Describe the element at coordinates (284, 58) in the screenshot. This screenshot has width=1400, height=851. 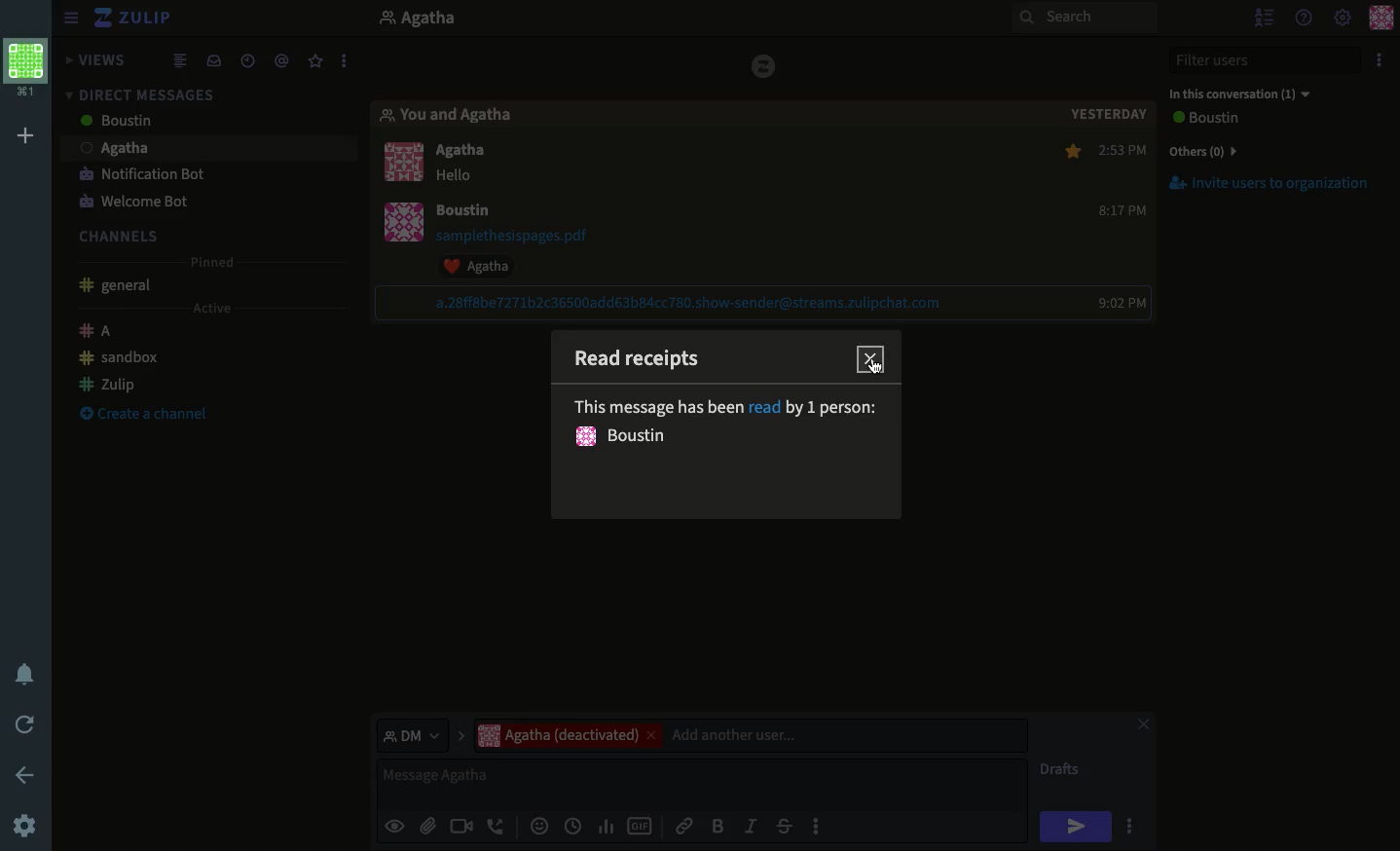
I see `Tag` at that location.